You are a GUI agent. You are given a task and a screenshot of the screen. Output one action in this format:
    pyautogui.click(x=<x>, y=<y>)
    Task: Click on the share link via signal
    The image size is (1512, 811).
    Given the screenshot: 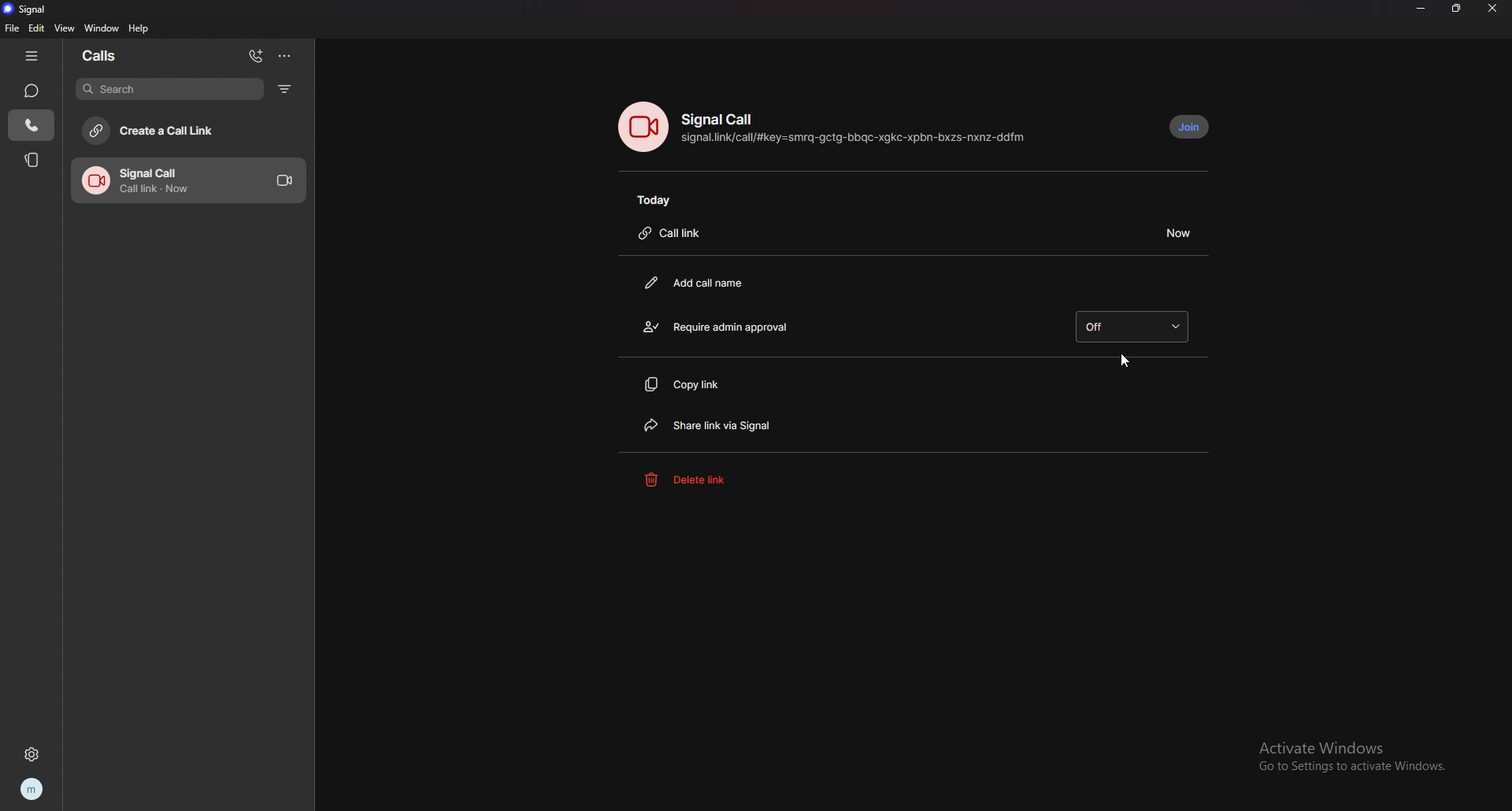 What is the action you would take?
    pyautogui.click(x=717, y=423)
    